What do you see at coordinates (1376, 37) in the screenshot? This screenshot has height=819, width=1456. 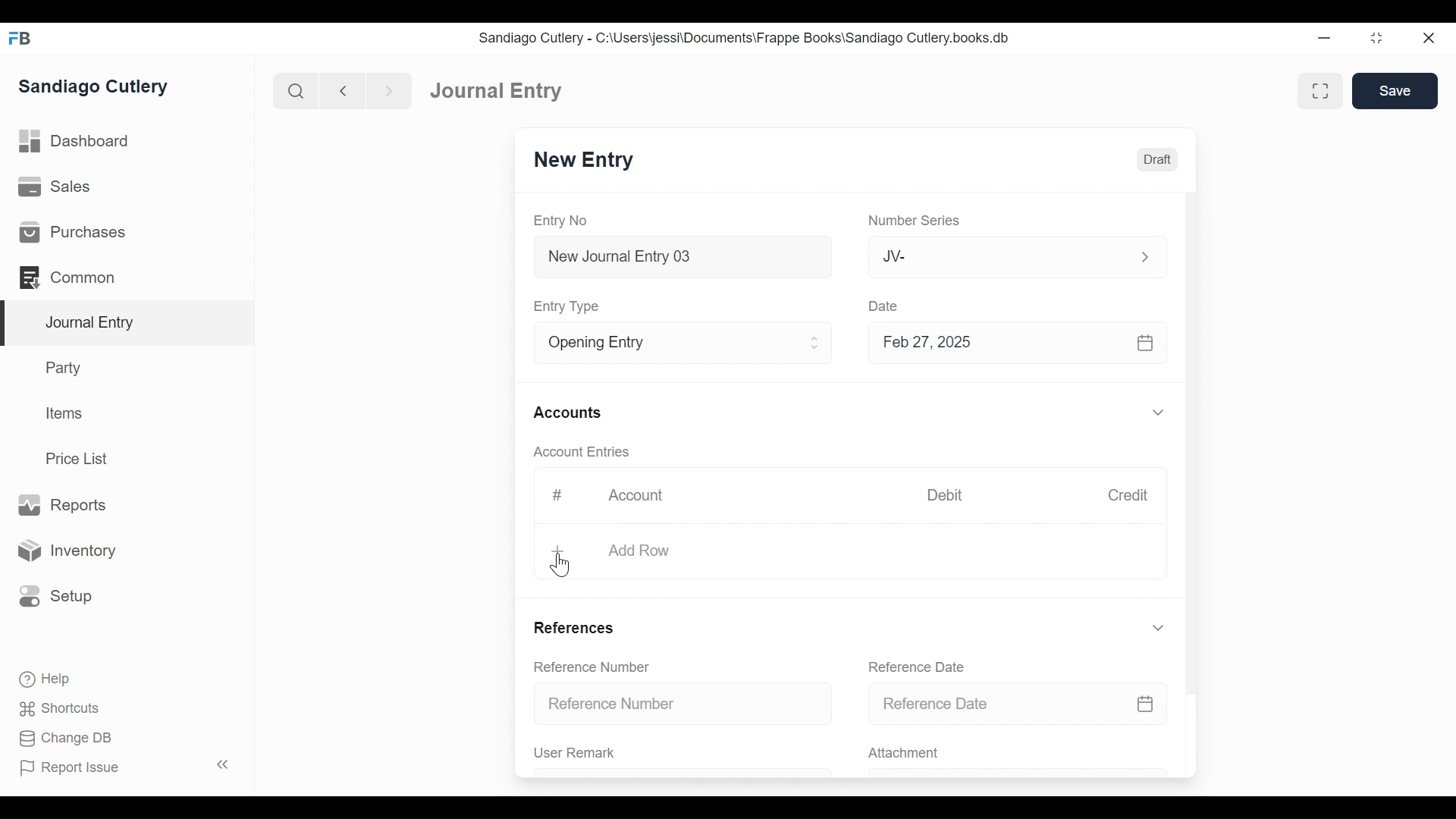 I see `Restore` at bounding box center [1376, 37].